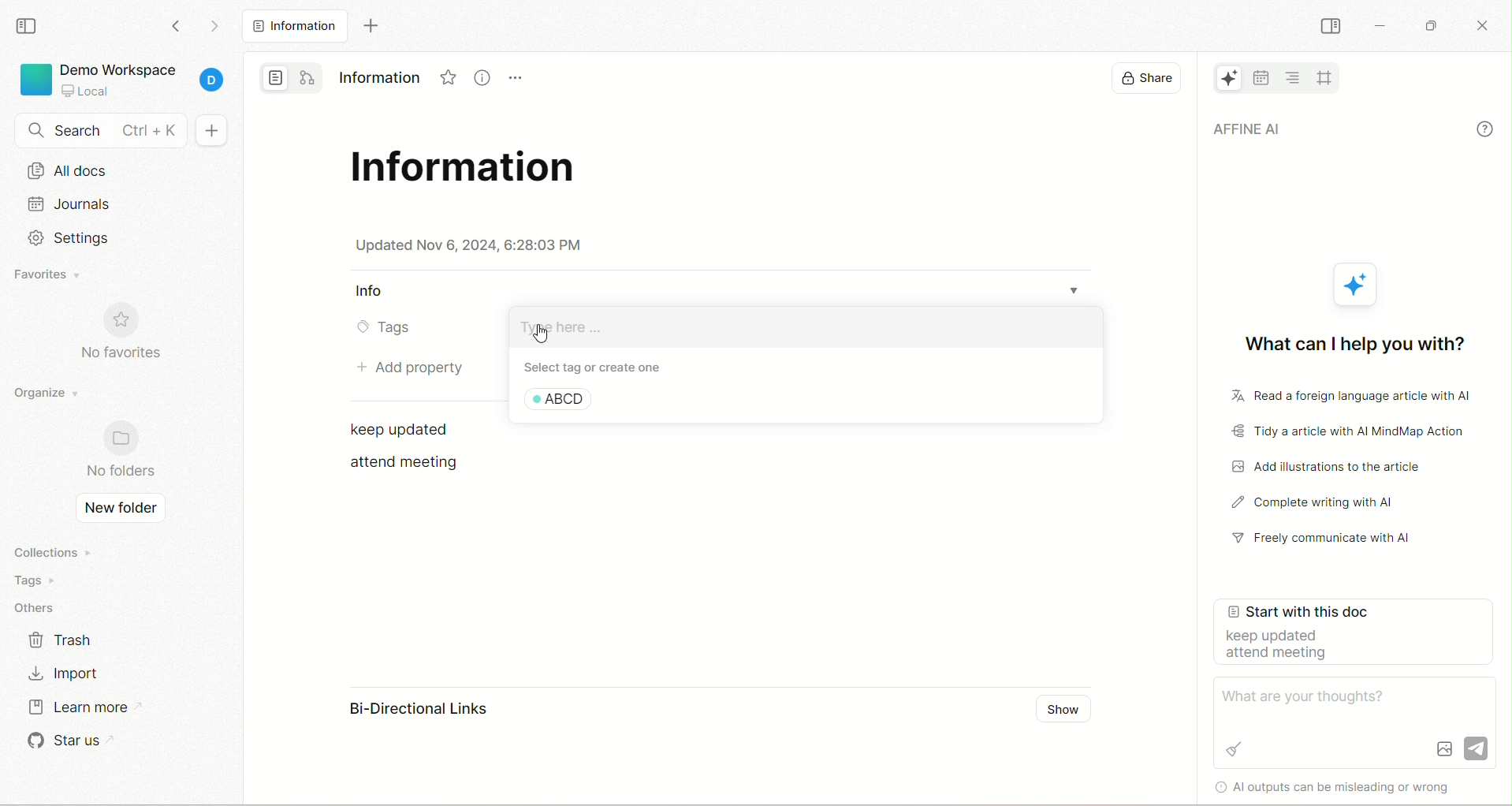 This screenshot has width=1512, height=806. I want to click on date & time, so click(470, 245).